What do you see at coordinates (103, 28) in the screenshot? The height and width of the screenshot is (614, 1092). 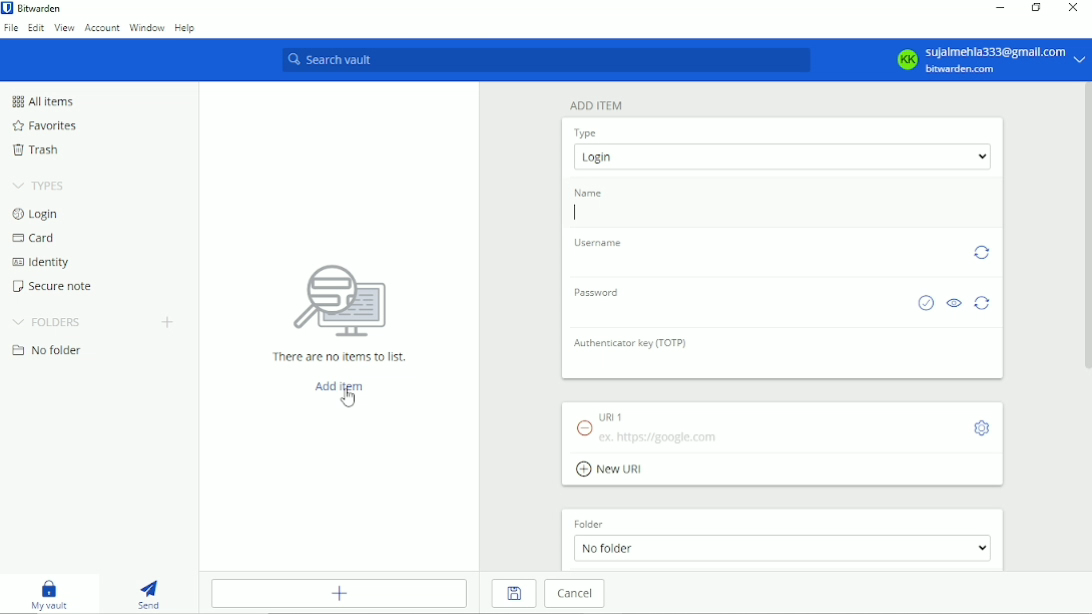 I see `Account` at bounding box center [103, 28].